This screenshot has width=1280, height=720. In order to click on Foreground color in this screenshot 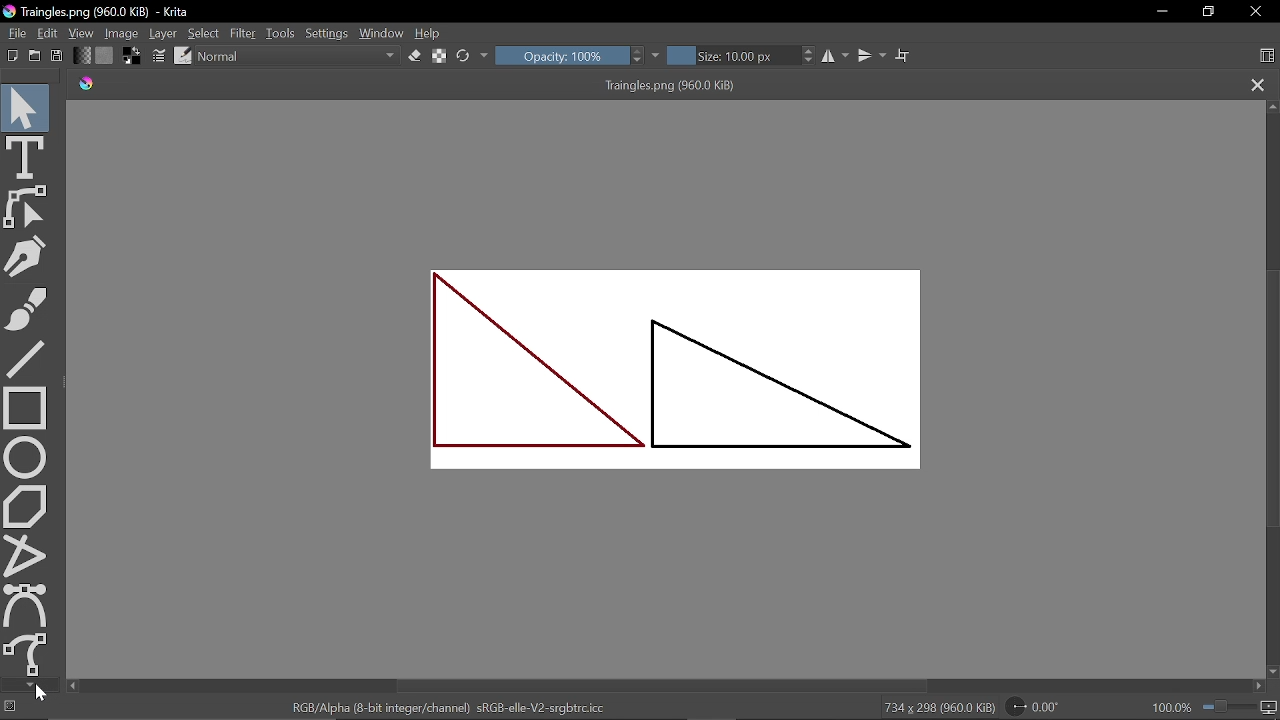, I will do `click(133, 55)`.